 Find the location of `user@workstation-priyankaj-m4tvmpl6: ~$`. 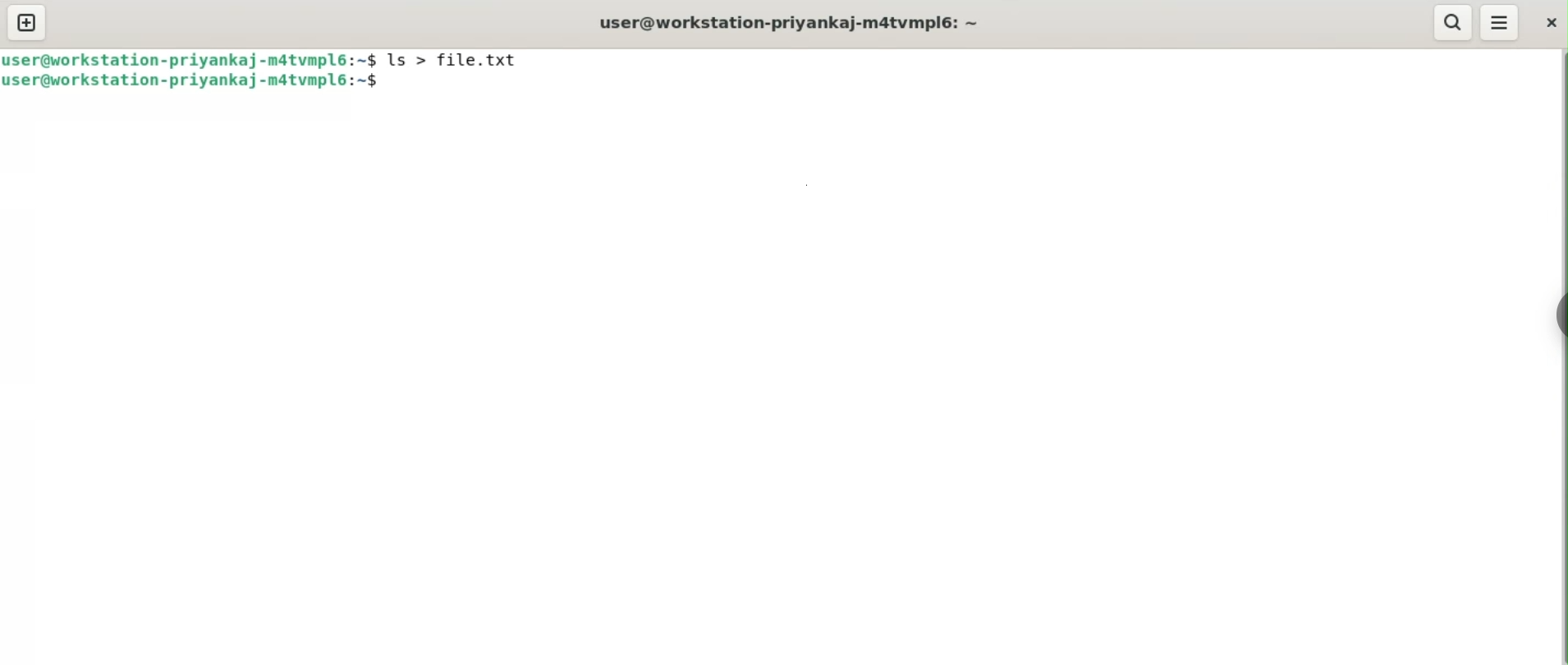

user@workstation-priyankaj-m4tvmpl6: ~$ is located at coordinates (189, 59).